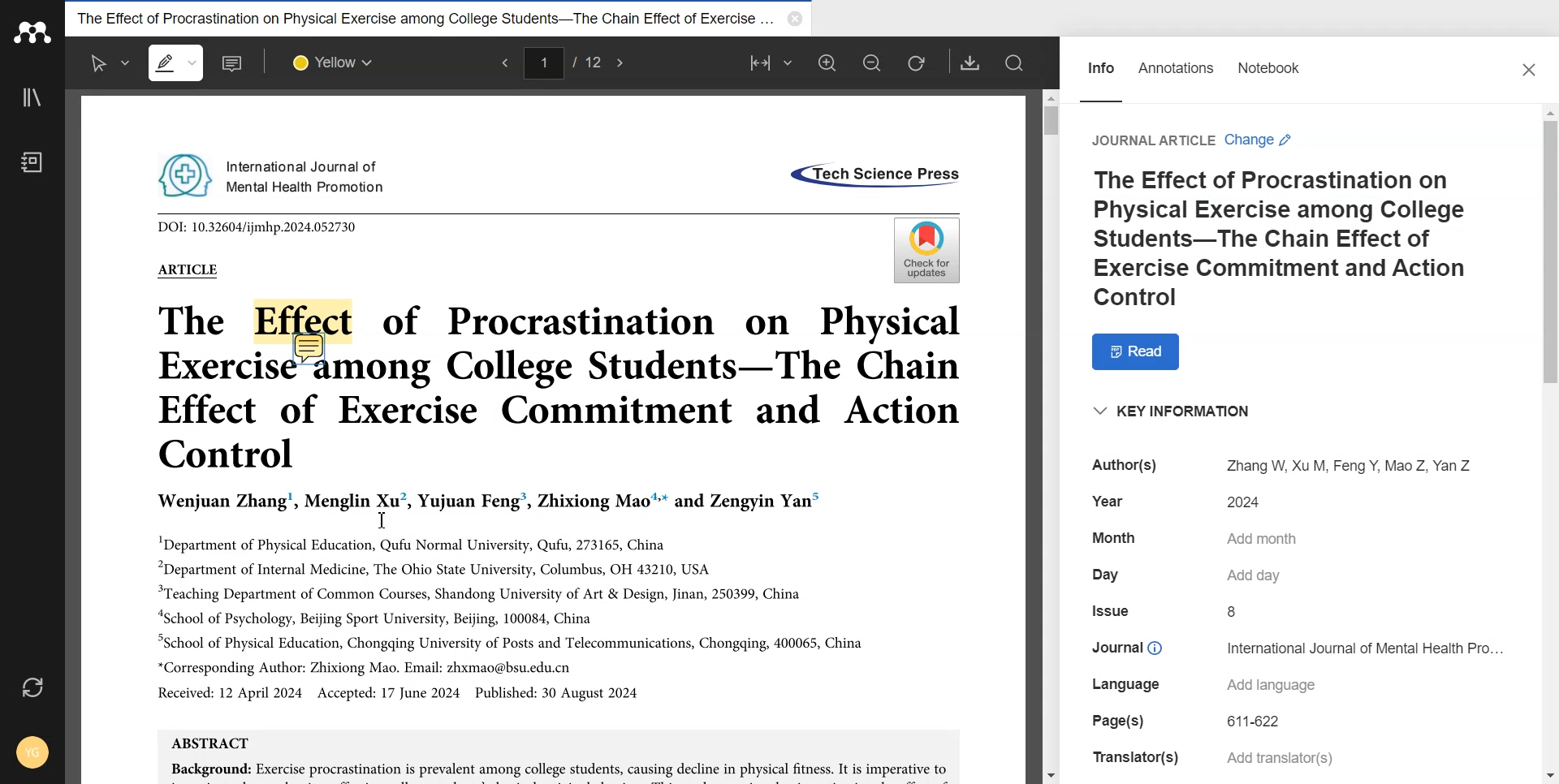 The width and height of the screenshot is (1559, 784). Describe the element at coordinates (177, 62) in the screenshot. I see `Highlight text` at that location.